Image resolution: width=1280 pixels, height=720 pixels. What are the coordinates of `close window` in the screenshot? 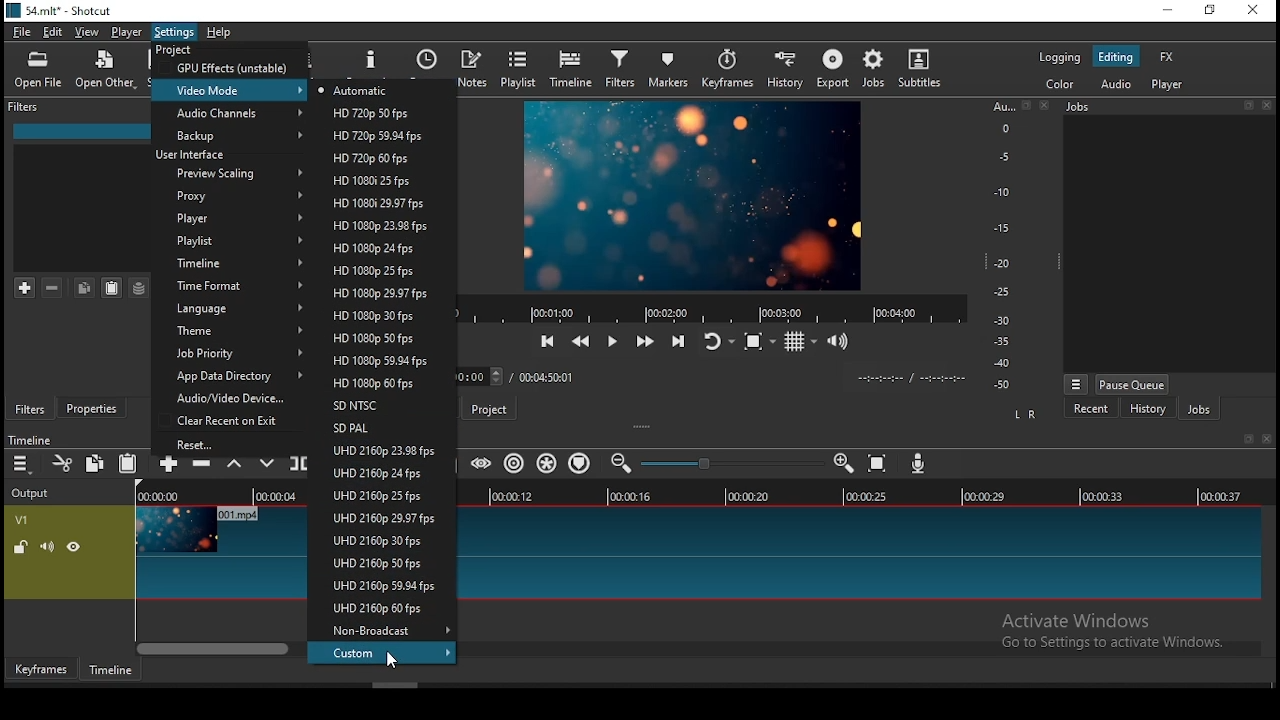 It's located at (1252, 11).